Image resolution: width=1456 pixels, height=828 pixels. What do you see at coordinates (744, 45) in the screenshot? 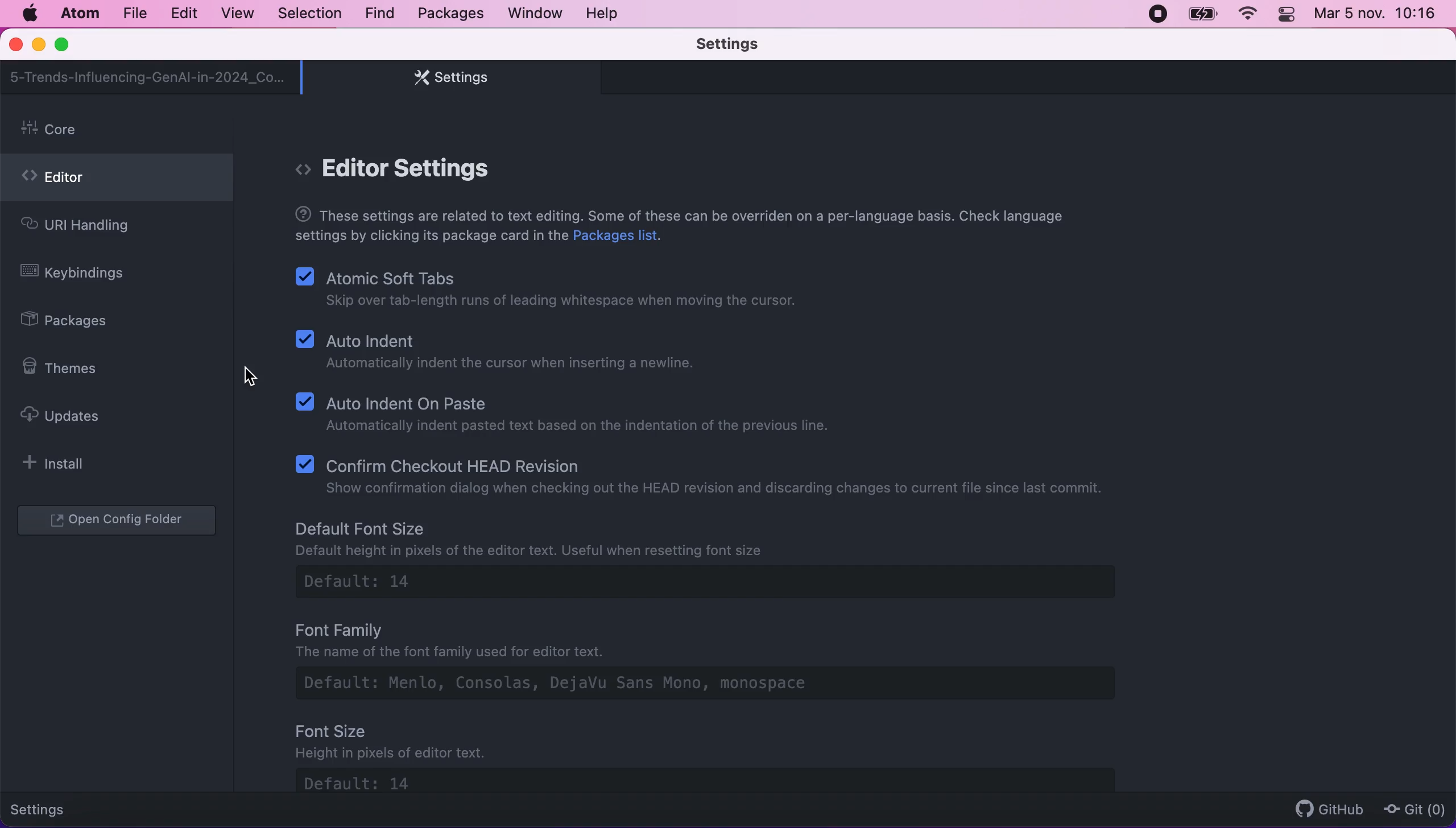
I see `settings` at bounding box center [744, 45].